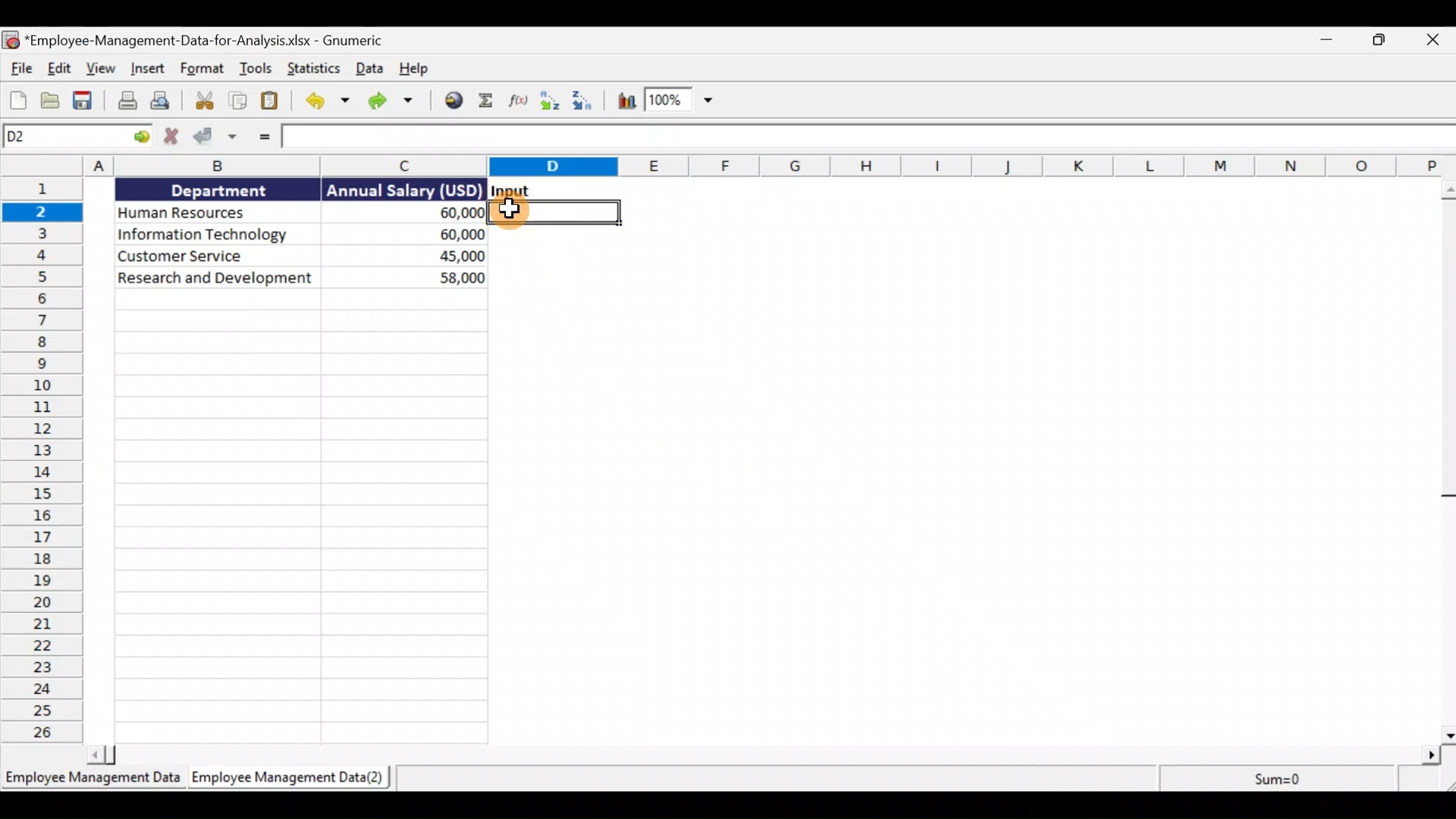 Image resolution: width=1456 pixels, height=819 pixels. I want to click on Data, so click(295, 233).